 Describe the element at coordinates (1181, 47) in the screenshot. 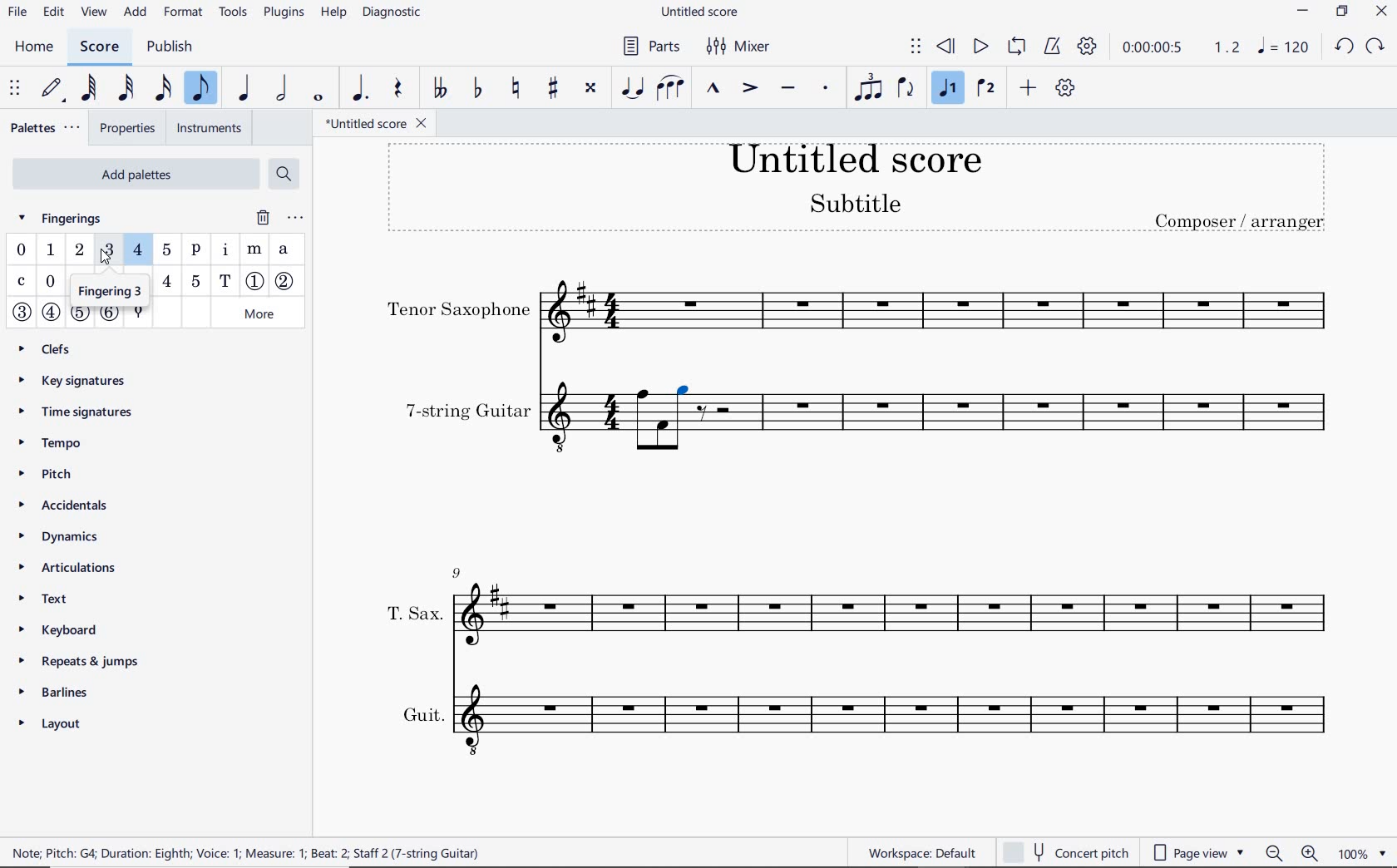

I see `PLAY SPEED` at that location.